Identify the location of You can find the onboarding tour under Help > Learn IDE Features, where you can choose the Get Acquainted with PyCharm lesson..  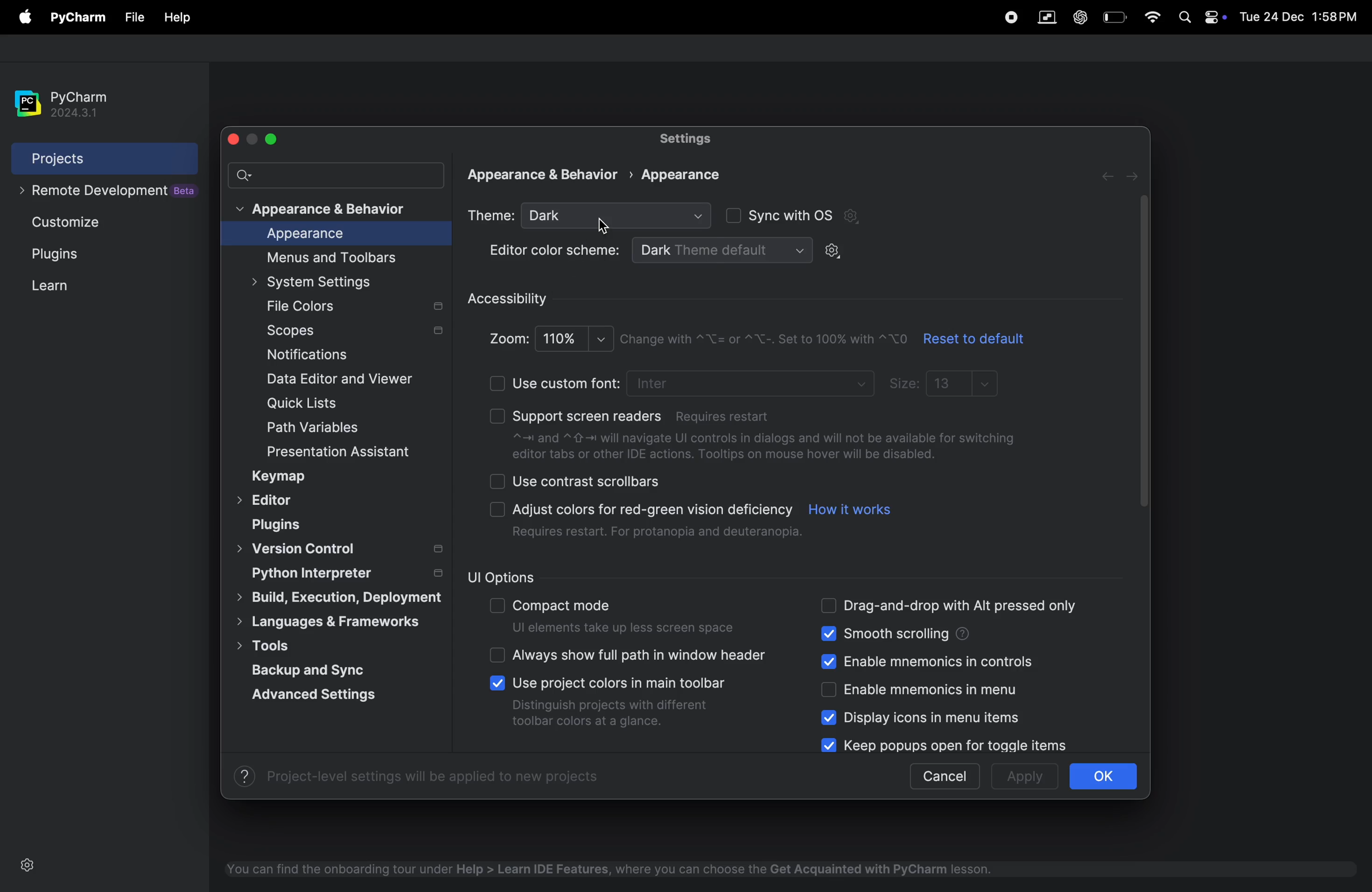
(613, 872).